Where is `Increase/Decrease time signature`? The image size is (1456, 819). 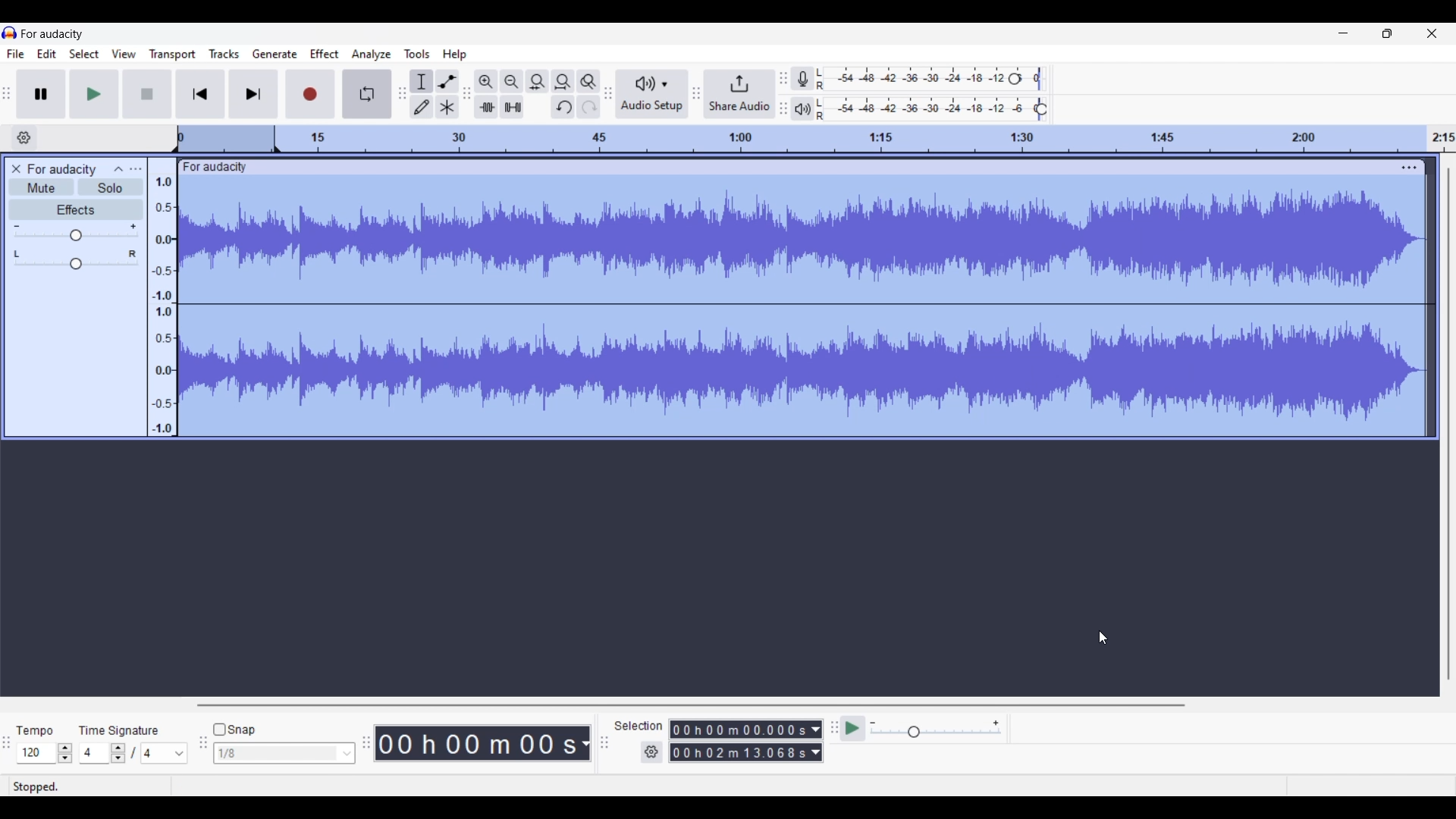 Increase/Decrease time signature is located at coordinates (118, 753).